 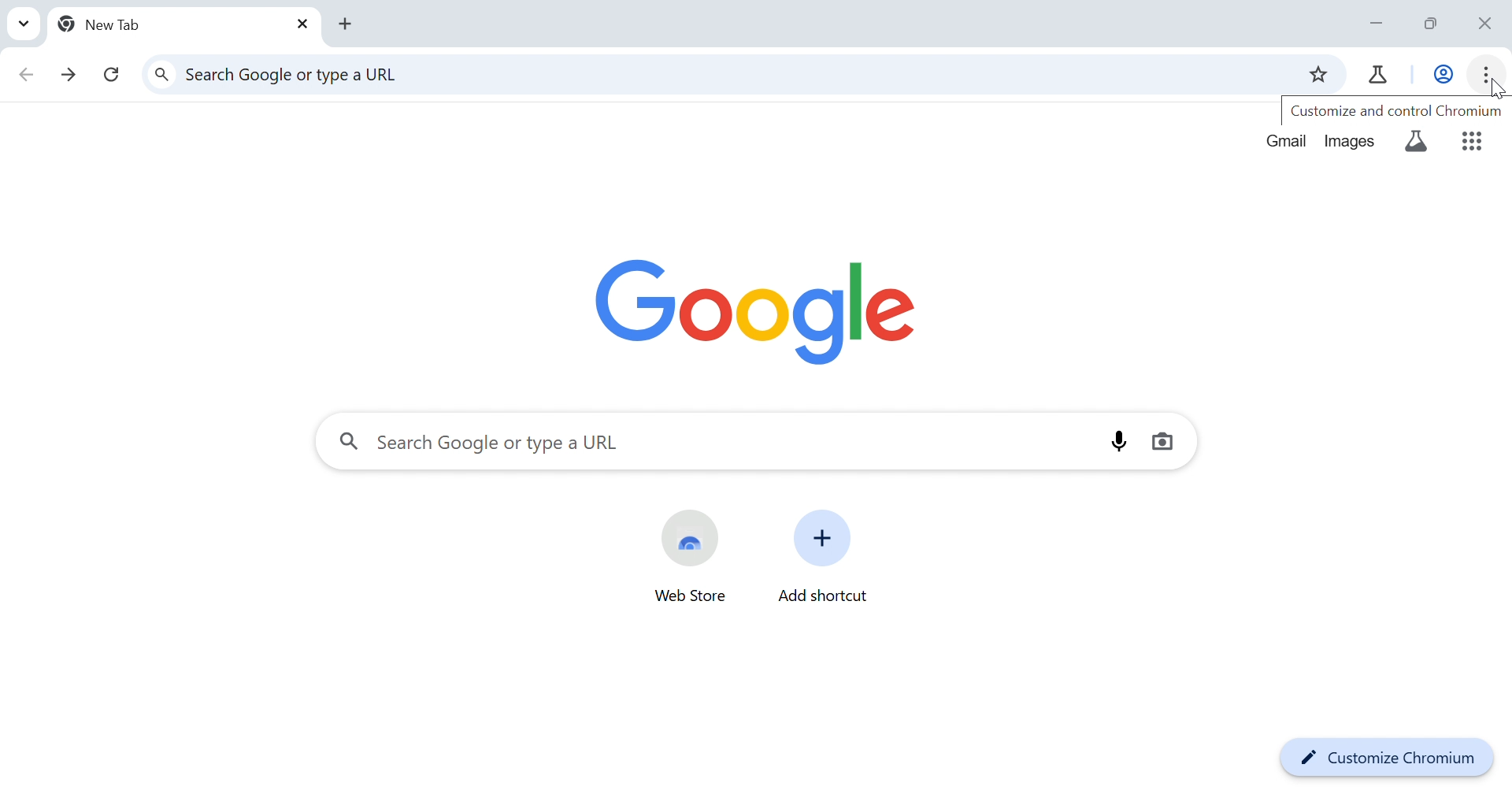 I want to click on Search icon, so click(x=164, y=76).